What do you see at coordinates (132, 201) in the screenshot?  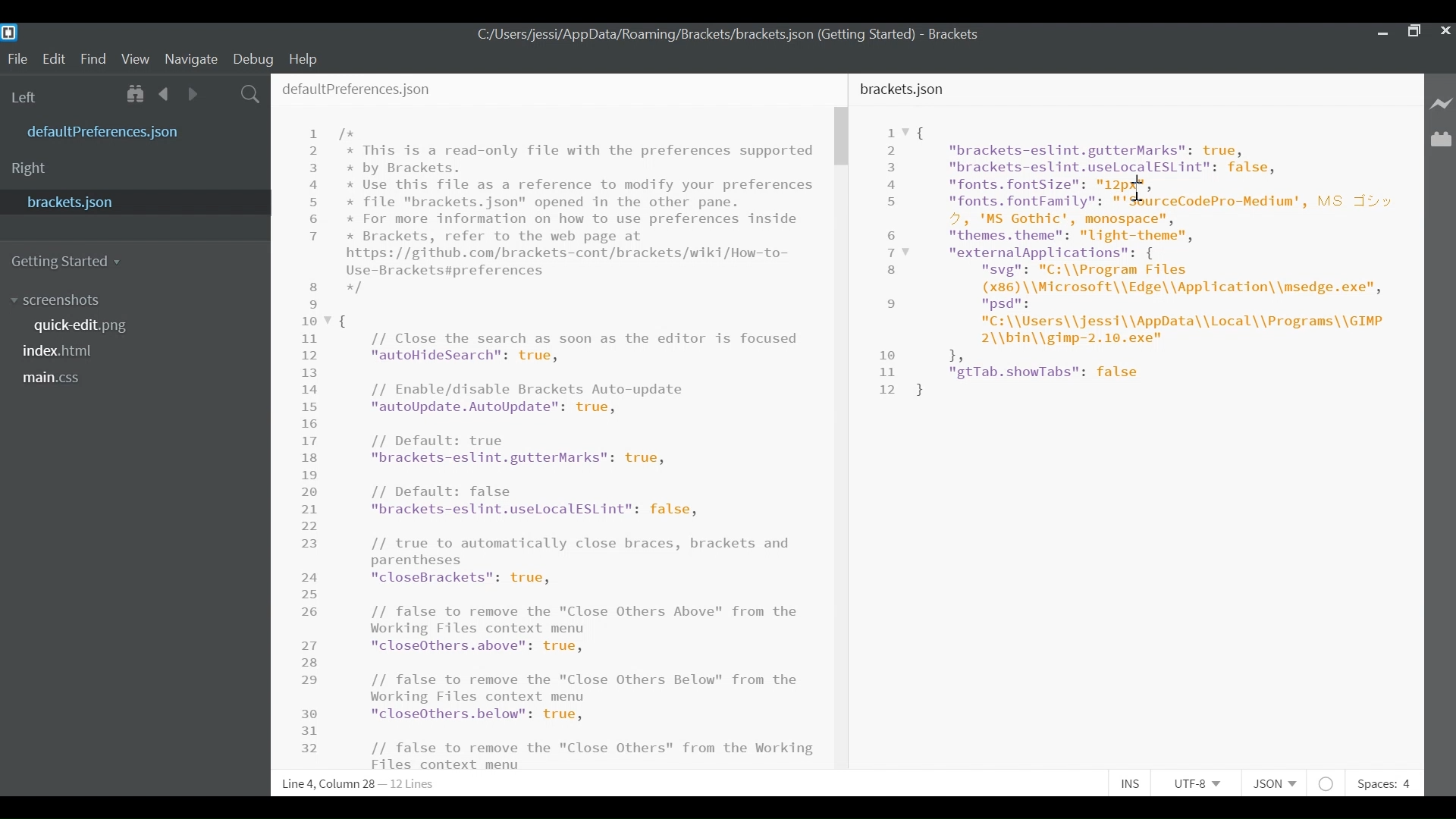 I see `bracket.json` at bounding box center [132, 201].